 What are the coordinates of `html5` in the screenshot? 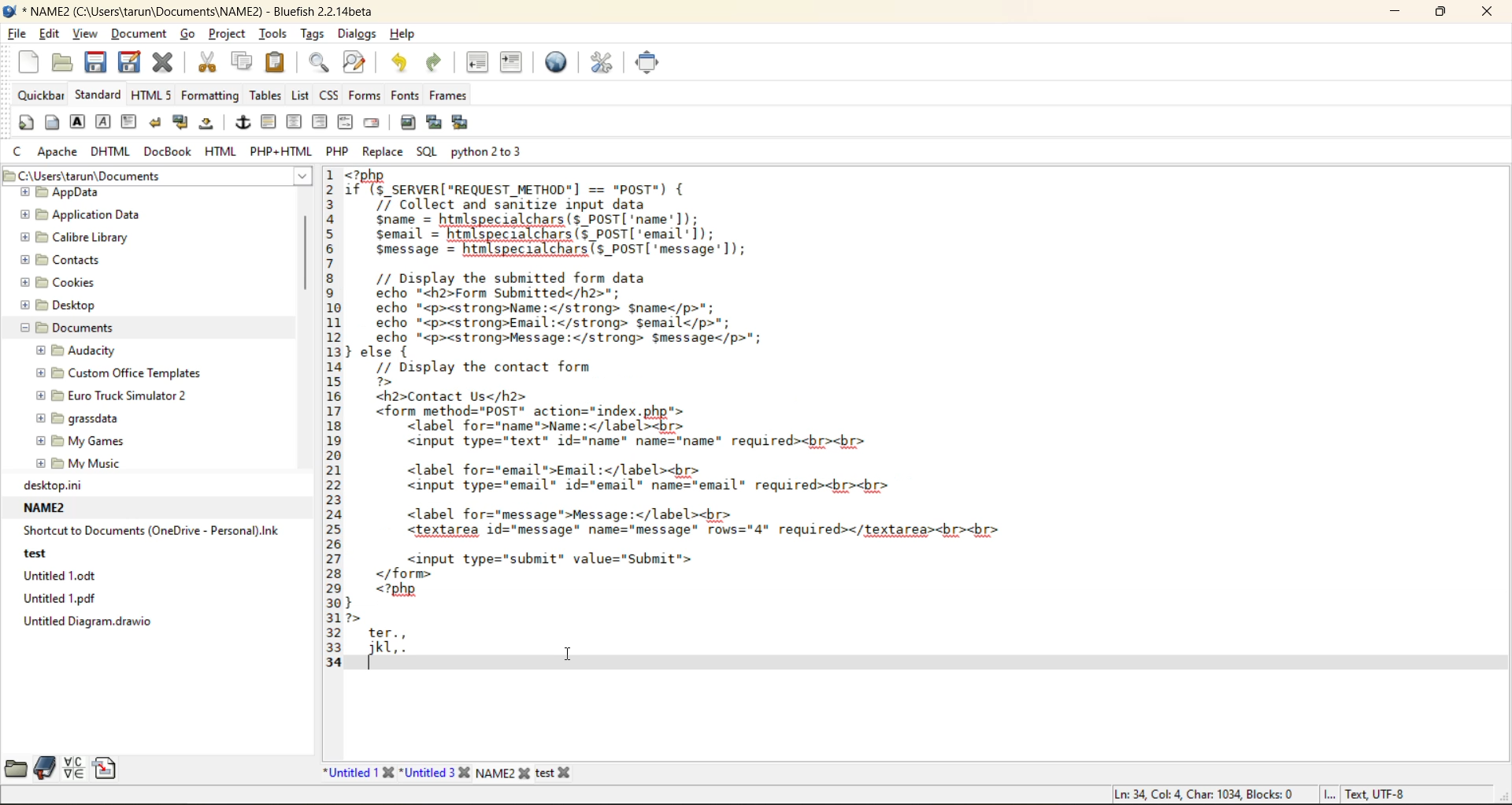 It's located at (151, 95).